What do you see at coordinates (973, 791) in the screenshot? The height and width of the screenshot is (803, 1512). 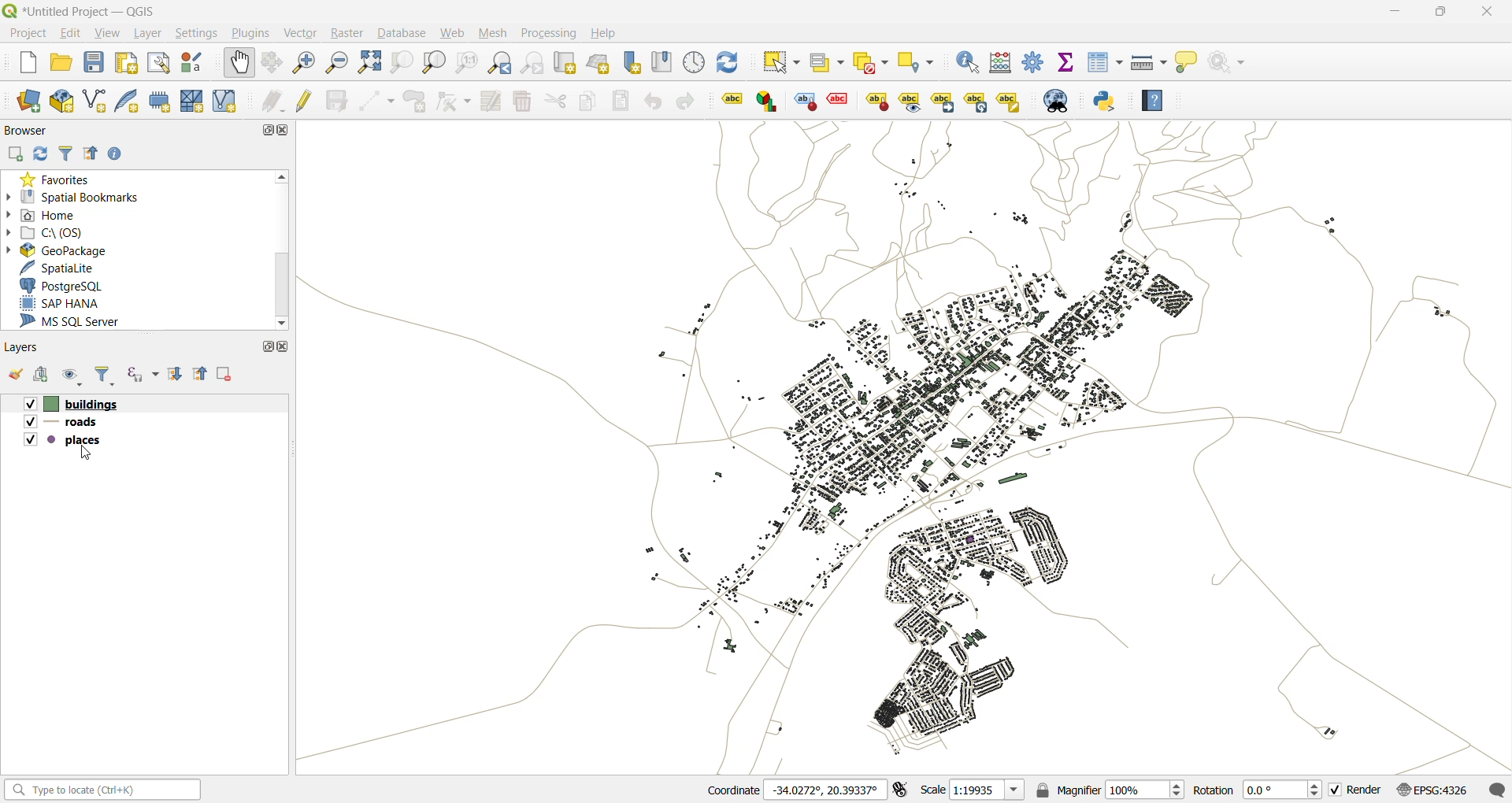 I see `scale` at bounding box center [973, 791].